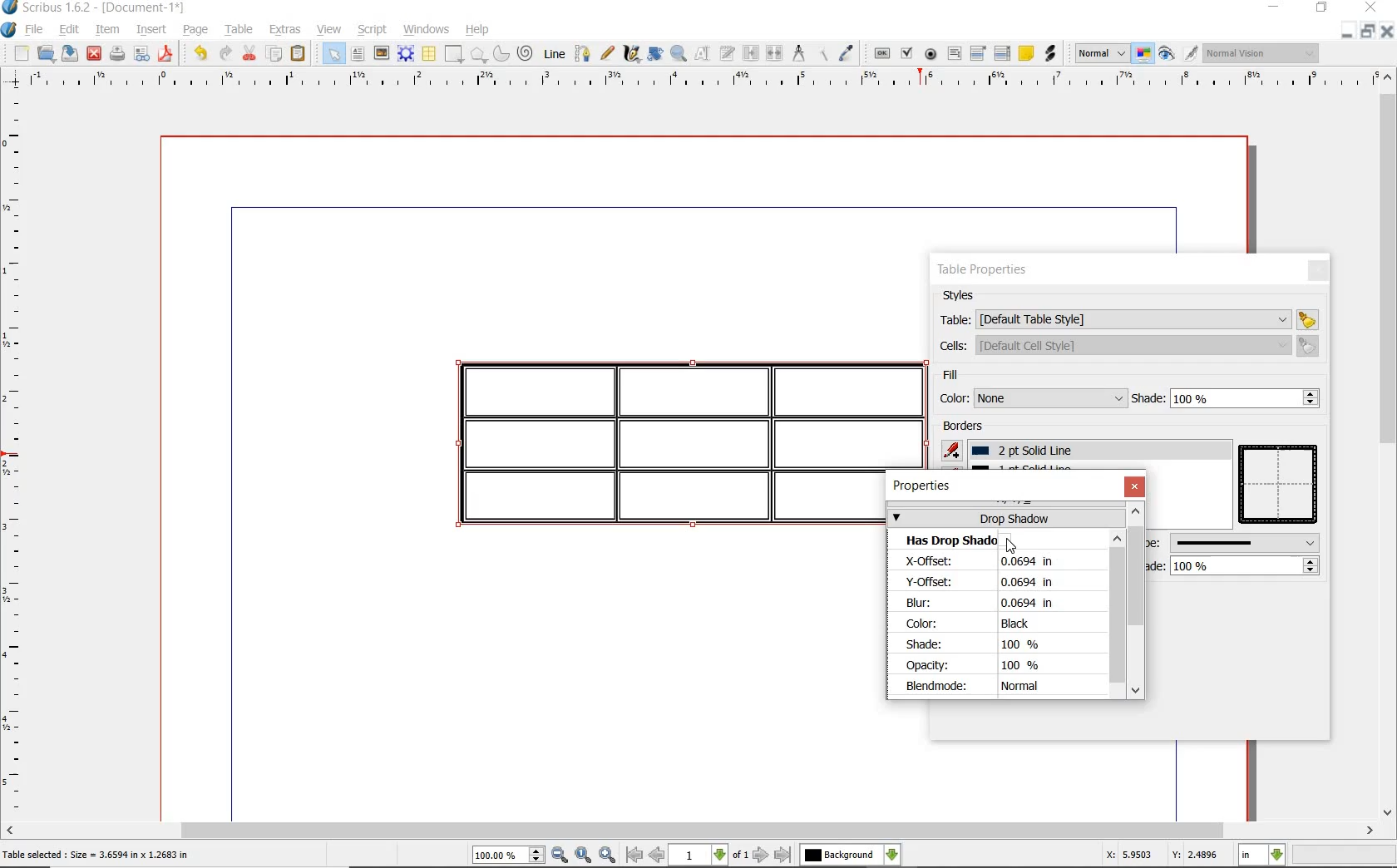 The width and height of the screenshot is (1397, 868). Describe the element at coordinates (1165, 54) in the screenshot. I see `preview mode` at that location.